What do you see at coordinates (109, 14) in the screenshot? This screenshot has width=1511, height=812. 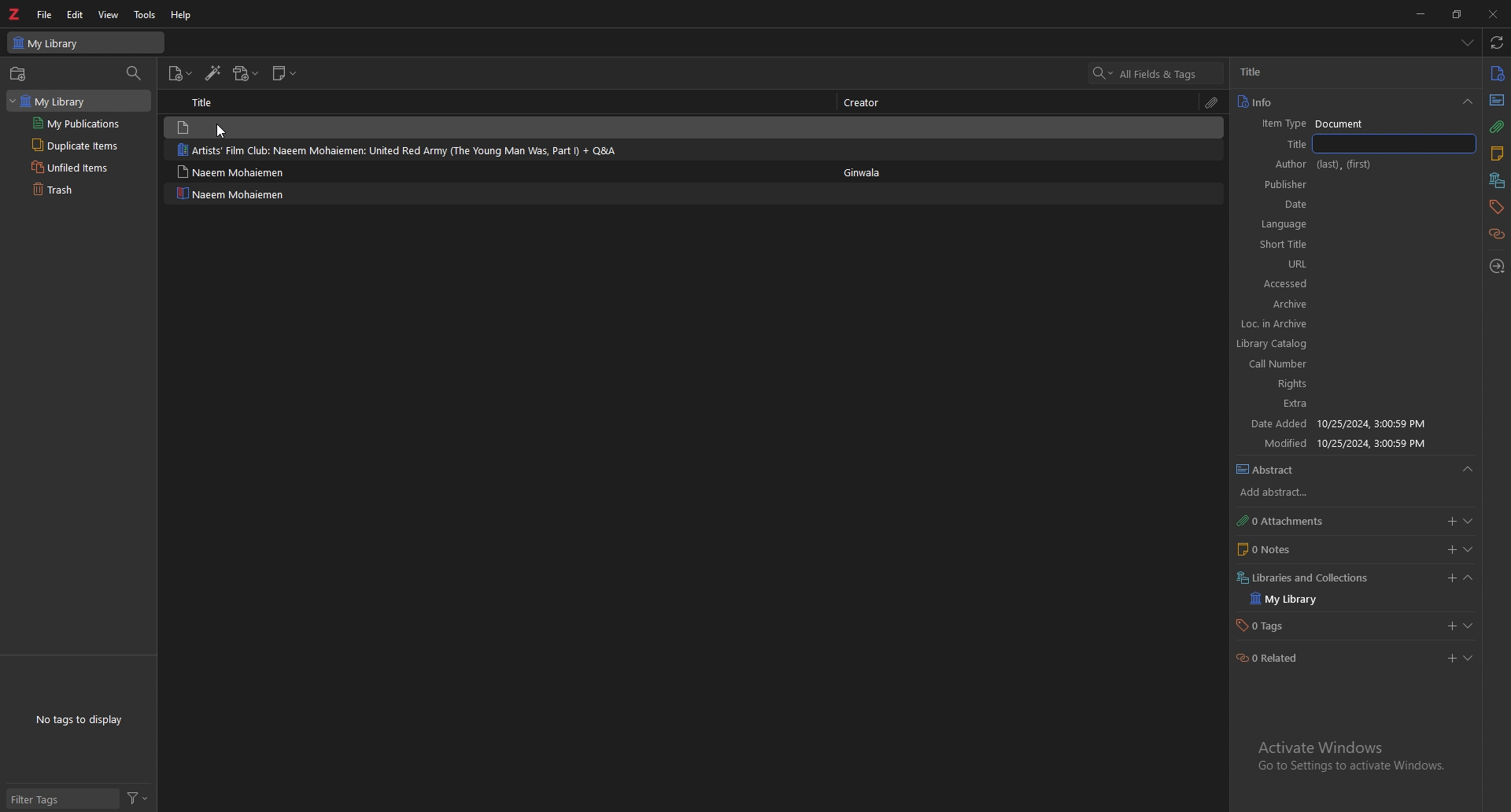 I see `view` at bounding box center [109, 14].